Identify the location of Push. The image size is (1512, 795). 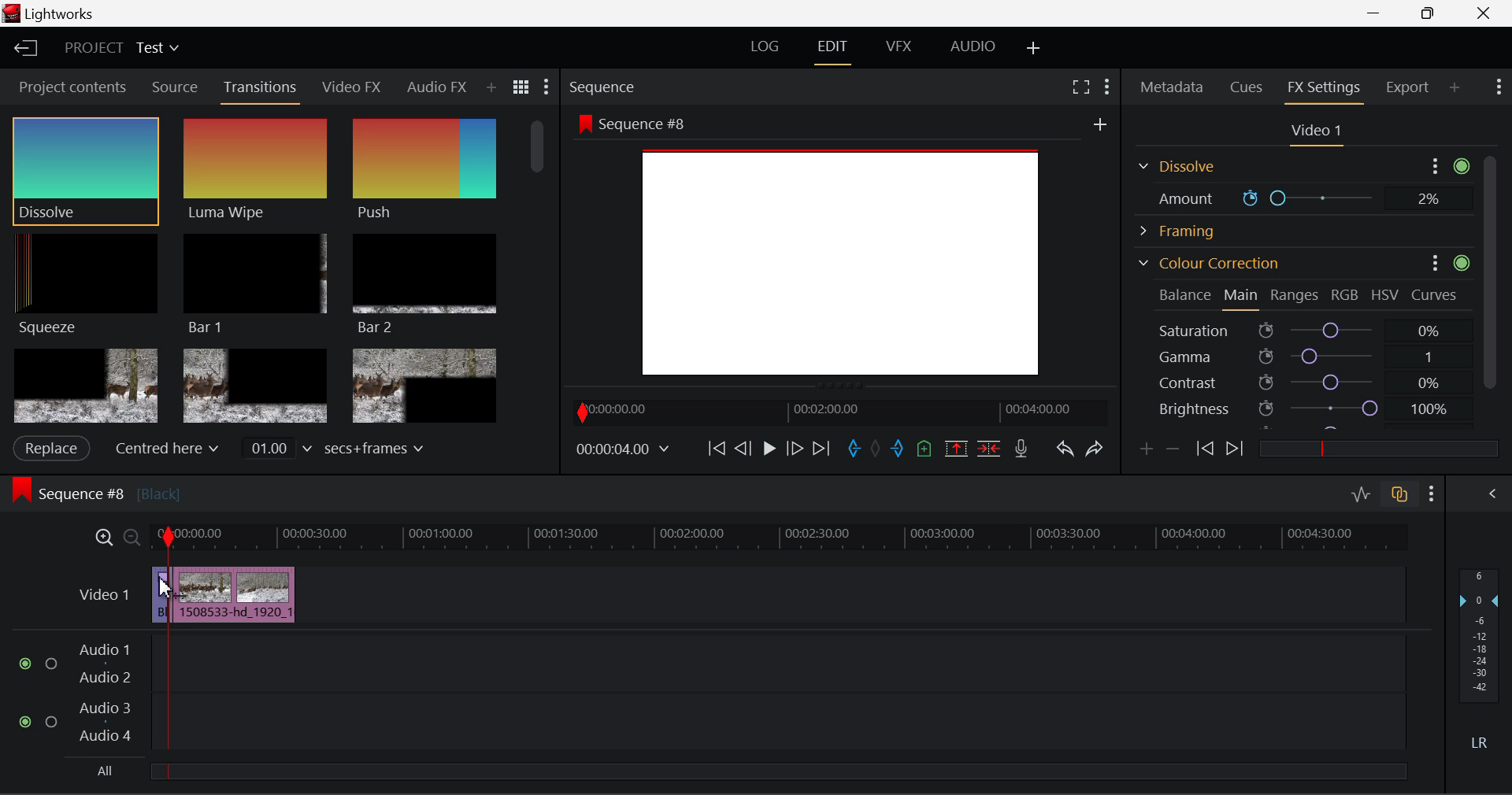
(424, 170).